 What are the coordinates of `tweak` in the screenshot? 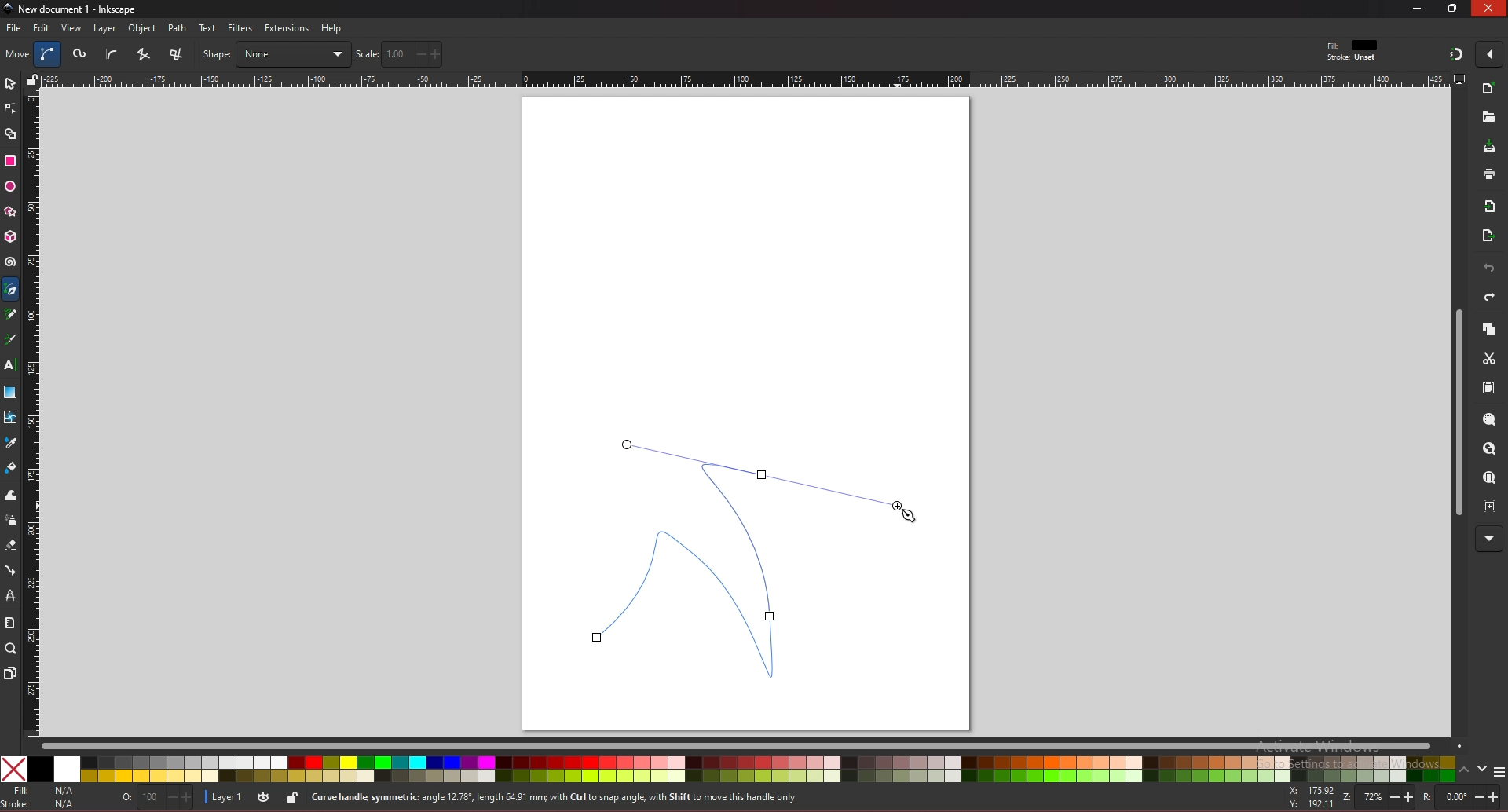 It's located at (11, 495).